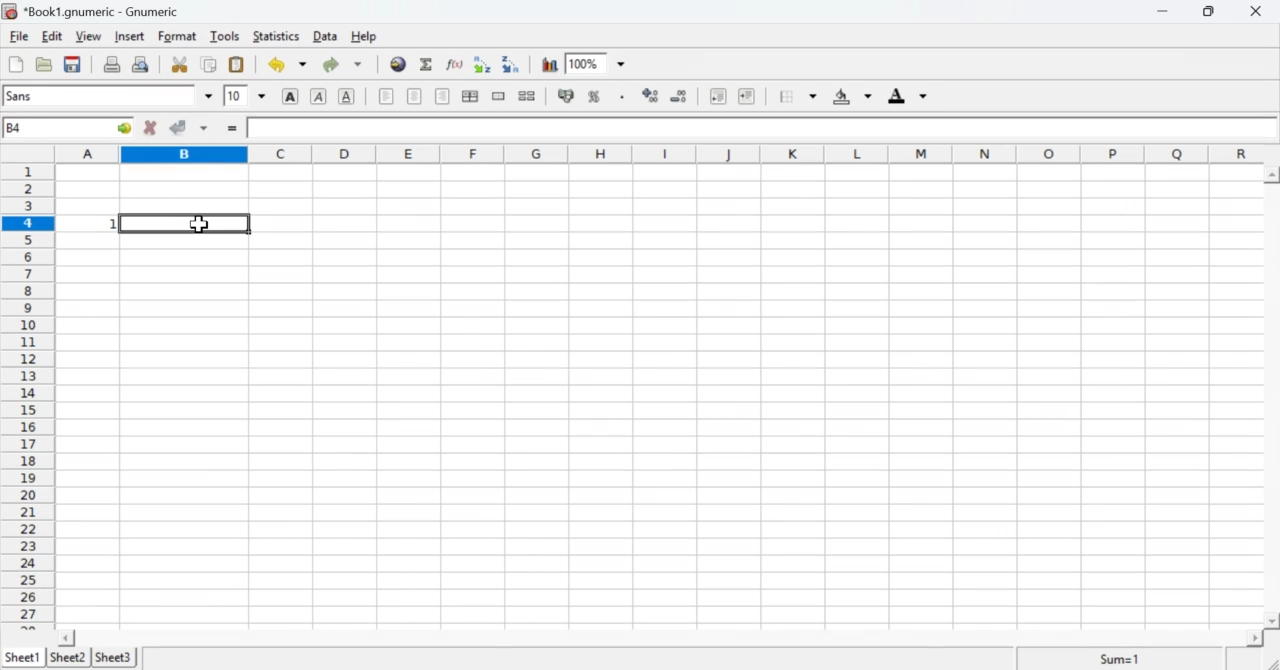 Image resolution: width=1280 pixels, height=670 pixels. What do you see at coordinates (142, 64) in the screenshot?
I see `Print preview` at bounding box center [142, 64].